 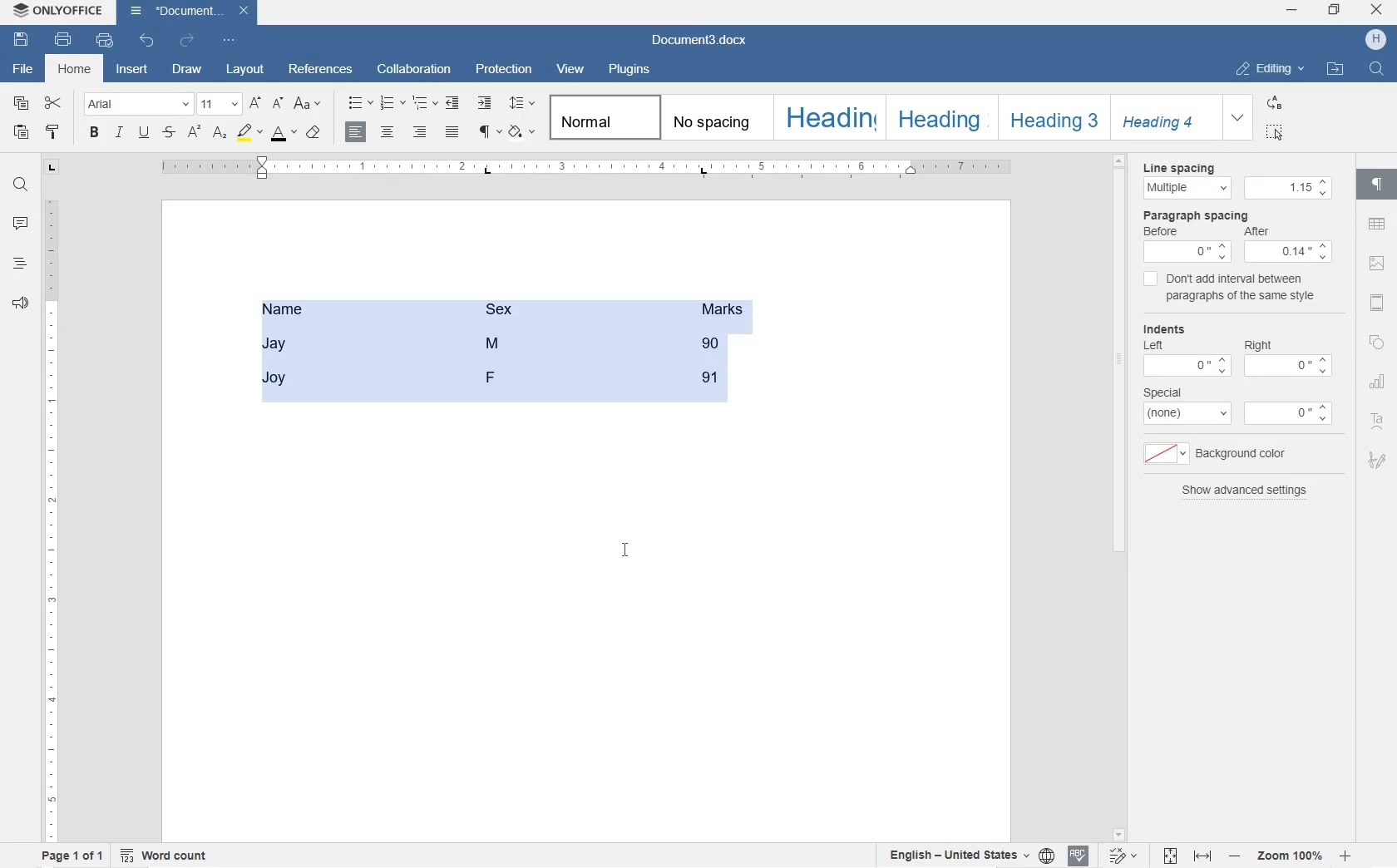 I want to click on FIND, so click(x=19, y=187).